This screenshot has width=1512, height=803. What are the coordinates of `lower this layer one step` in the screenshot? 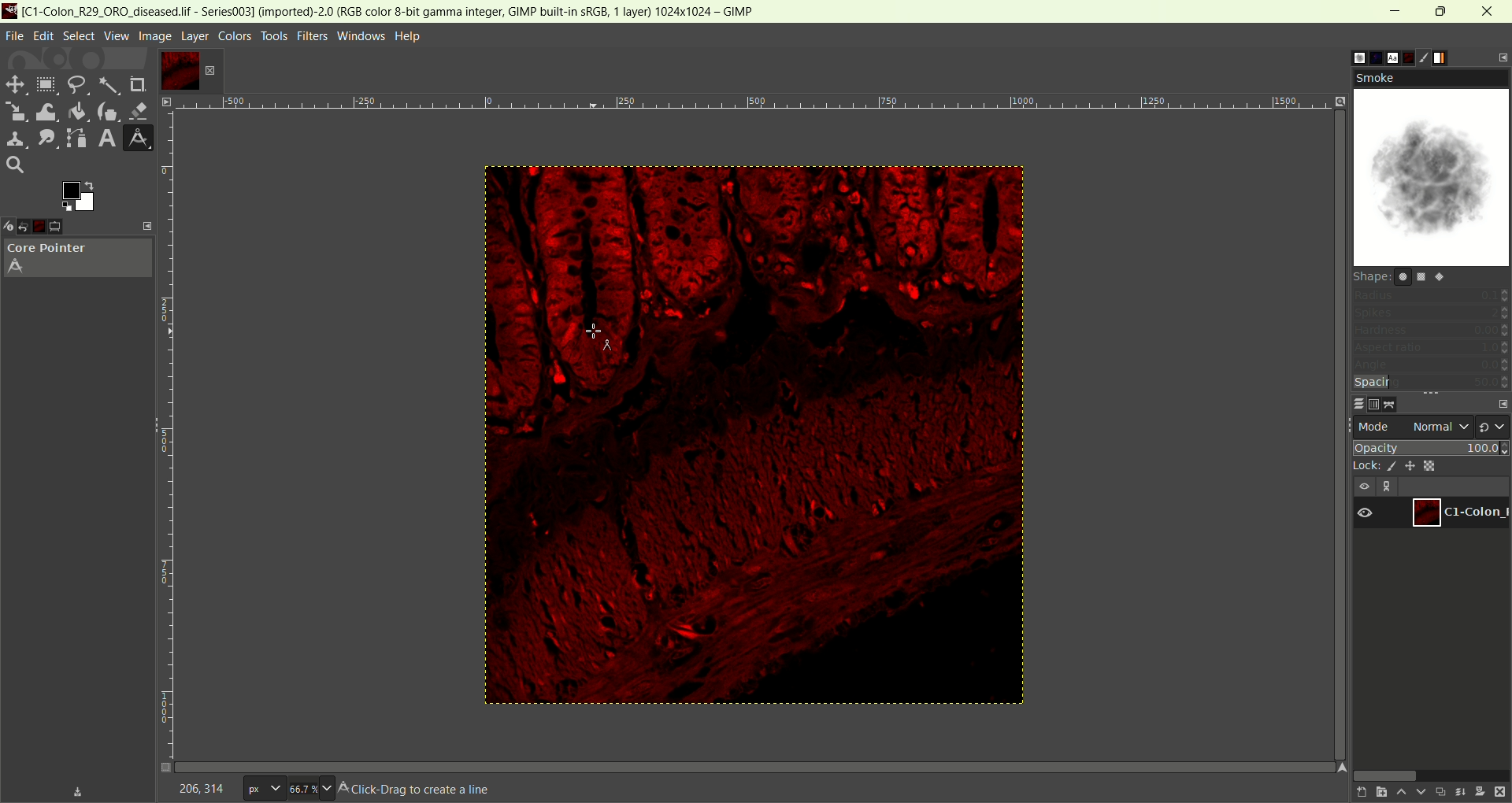 It's located at (1421, 793).